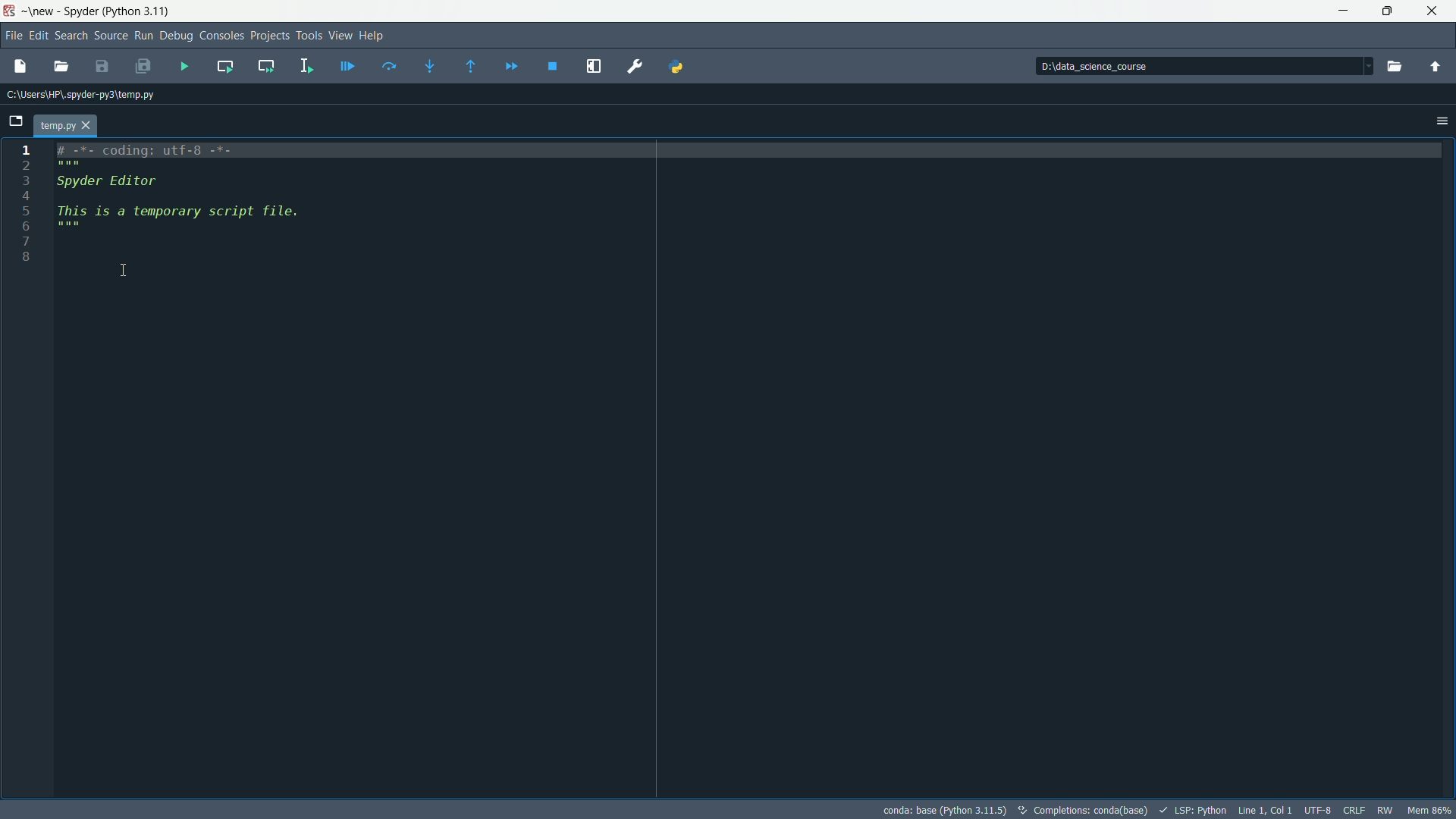 The width and height of the screenshot is (1456, 819). I want to click on 5 This is a temporarv script file., so click(179, 211).